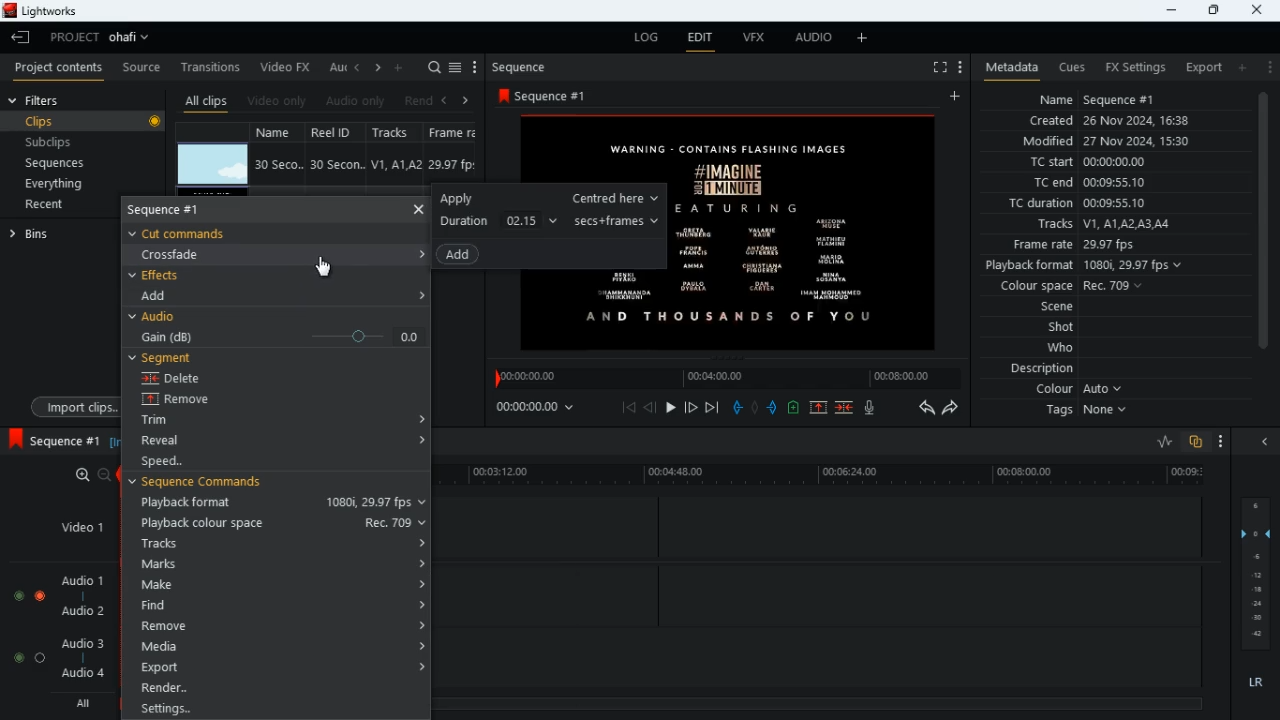 The height and width of the screenshot is (720, 1280). What do you see at coordinates (1258, 685) in the screenshot?
I see `lr` at bounding box center [1258, 685].